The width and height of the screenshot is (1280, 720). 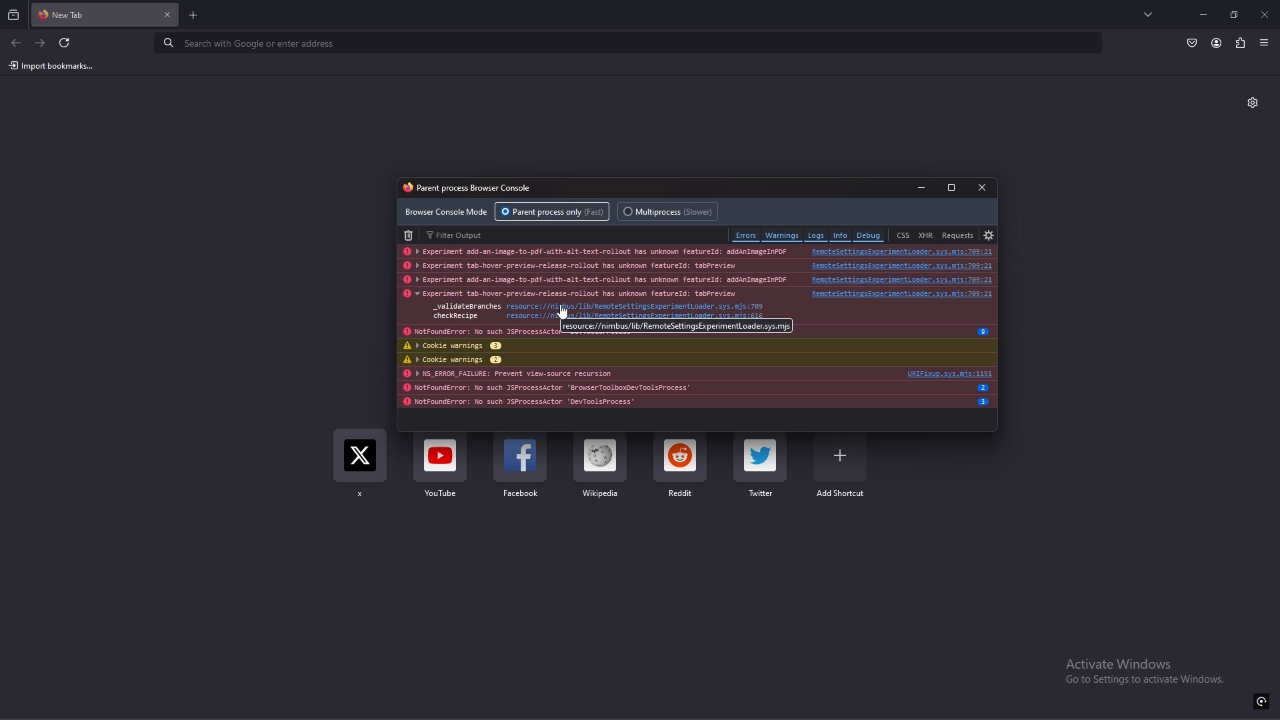 I want to click on console, so click(x=473, y=189).